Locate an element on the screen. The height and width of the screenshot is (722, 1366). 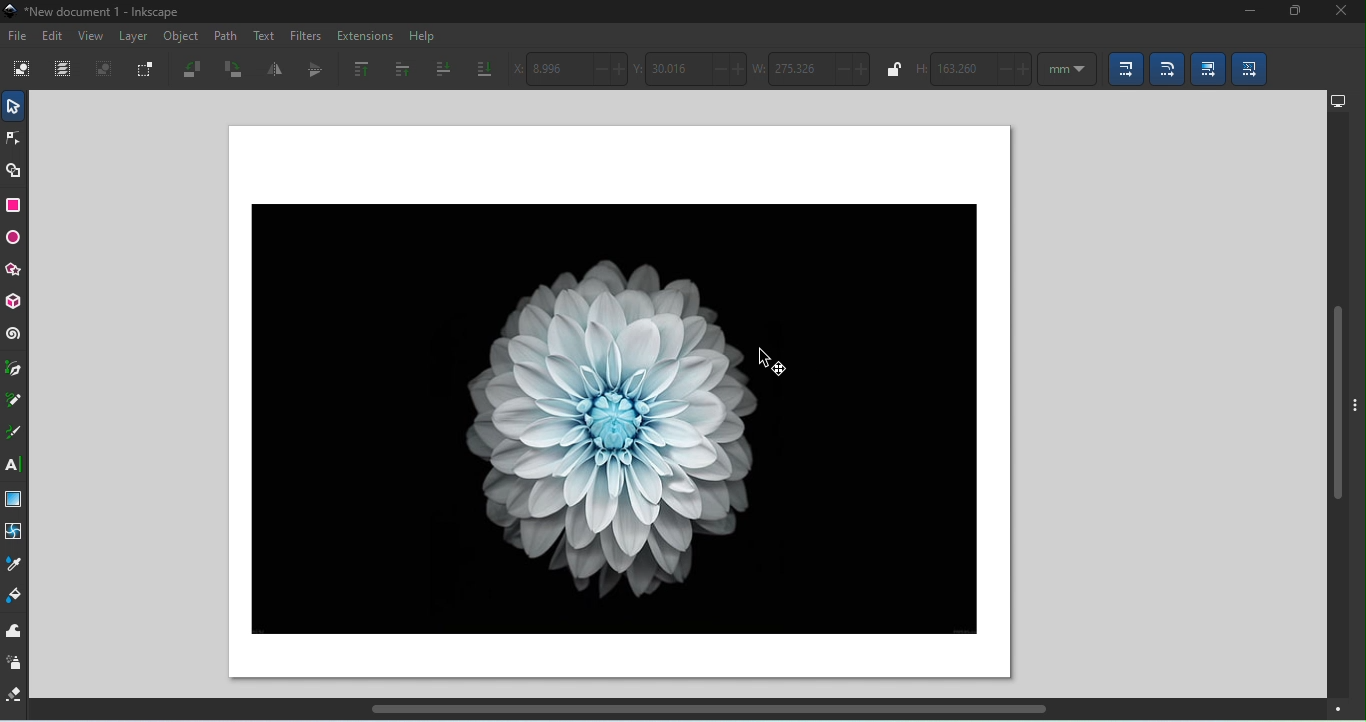
Pen tool is located at coordinates (15, 370).